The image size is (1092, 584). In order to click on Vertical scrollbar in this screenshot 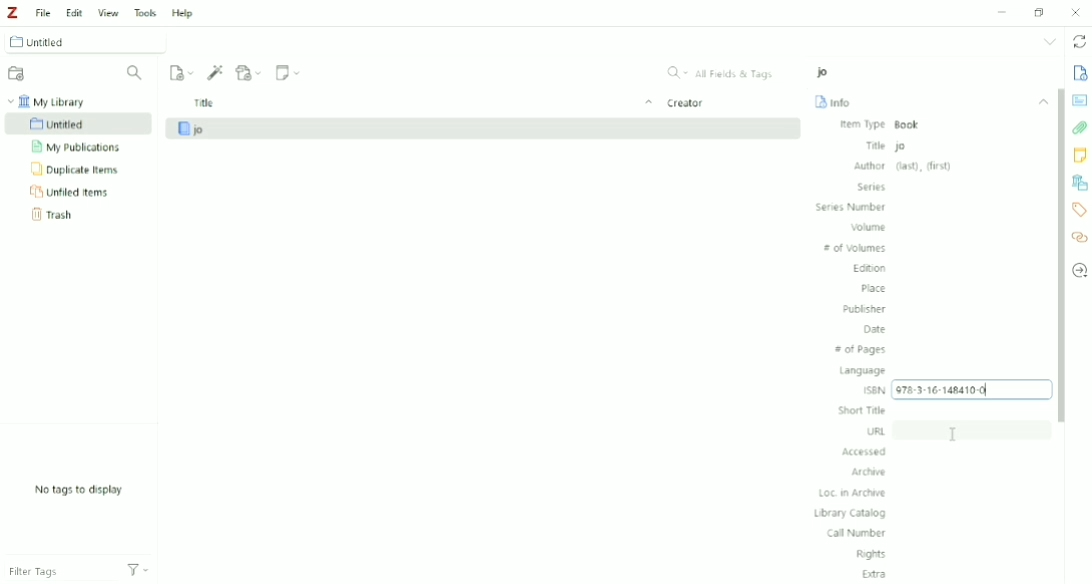, I will do `click(1058, 255)`.